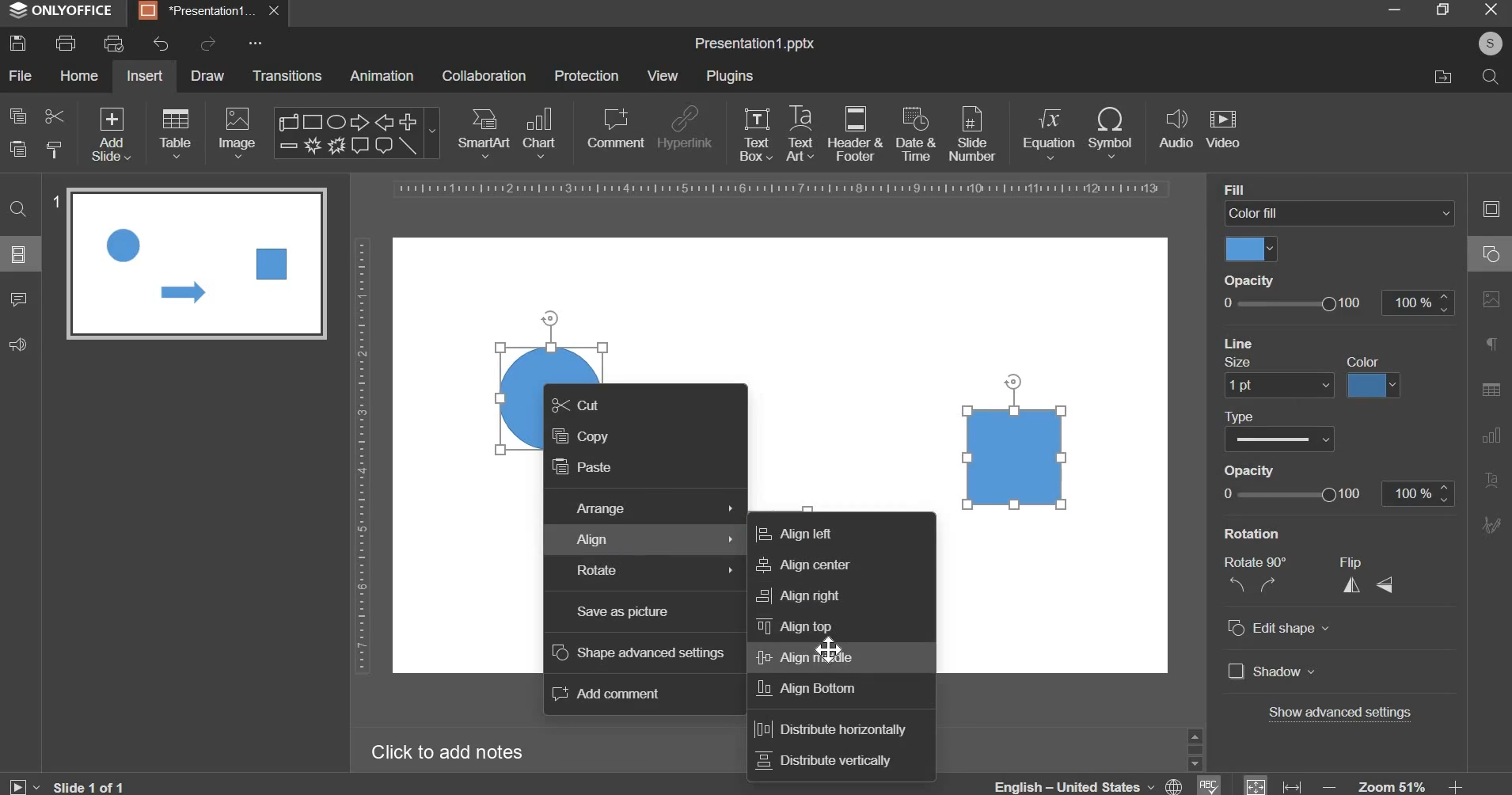 This screenshot has width=1512, height=795. Describe the element at coordinates (18, 150) in the screenshot. I see `paste` at that location.